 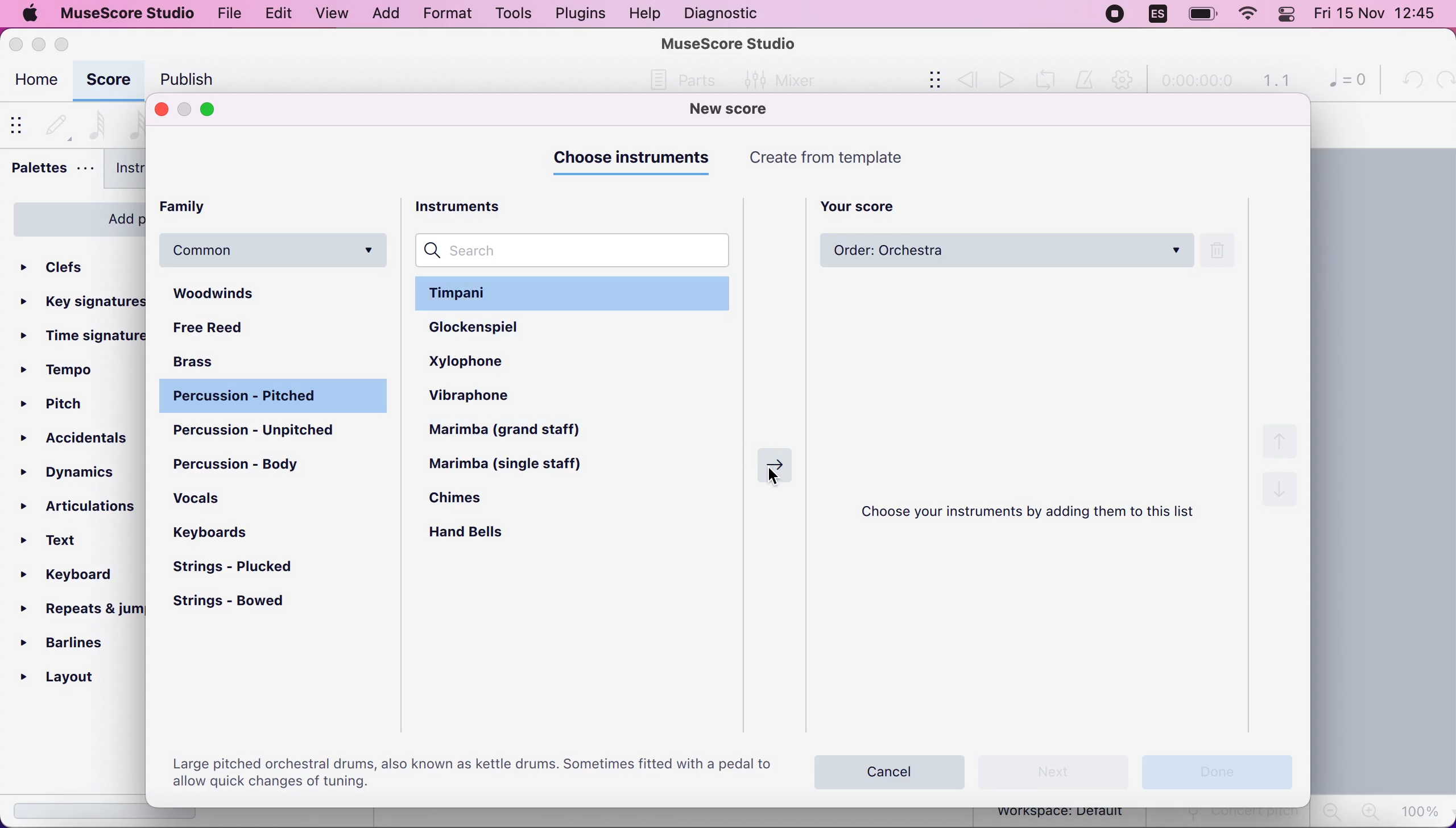 What do you see at coordinates (84, 337) in the screenshot?
I see `ime signatures` at bounding box center [84, 337].